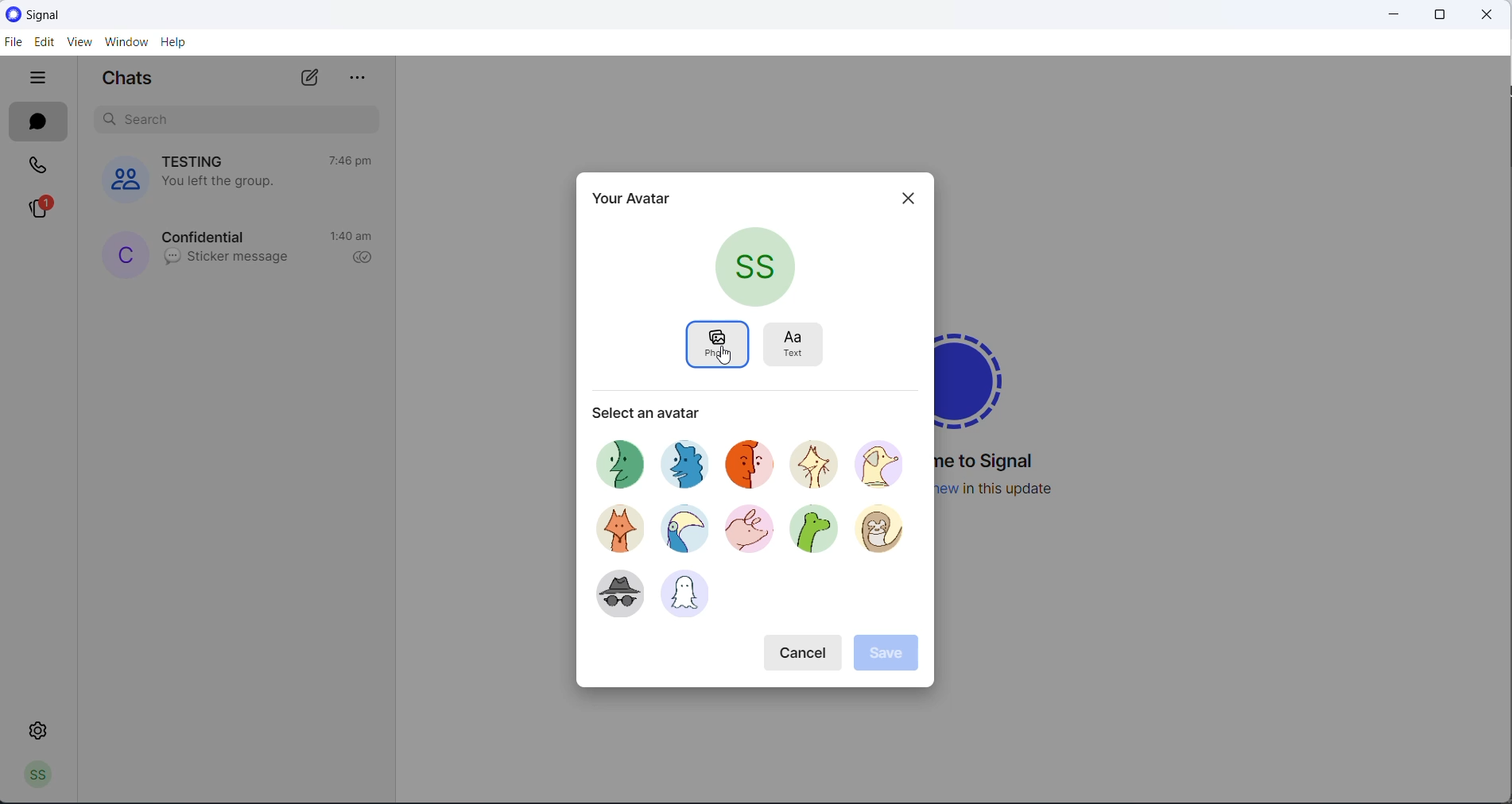  What do you see at coordinates (12, 41) in the screenshot?
I see `FILE` at bounding box center [12, 41].